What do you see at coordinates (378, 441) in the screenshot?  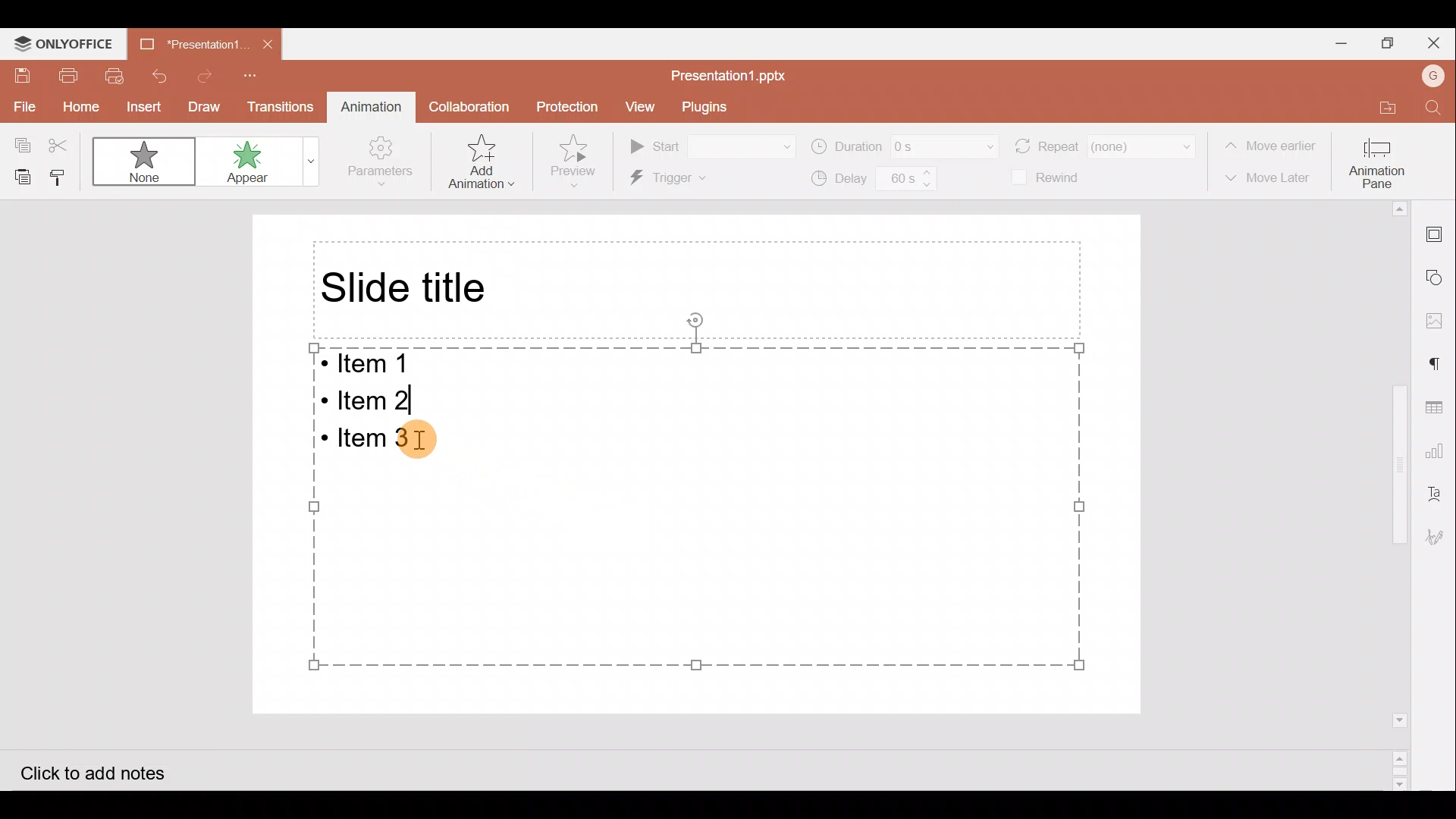 I see `Bulleted Item 3 on the presentation slide` at bounding box center [378, 441].